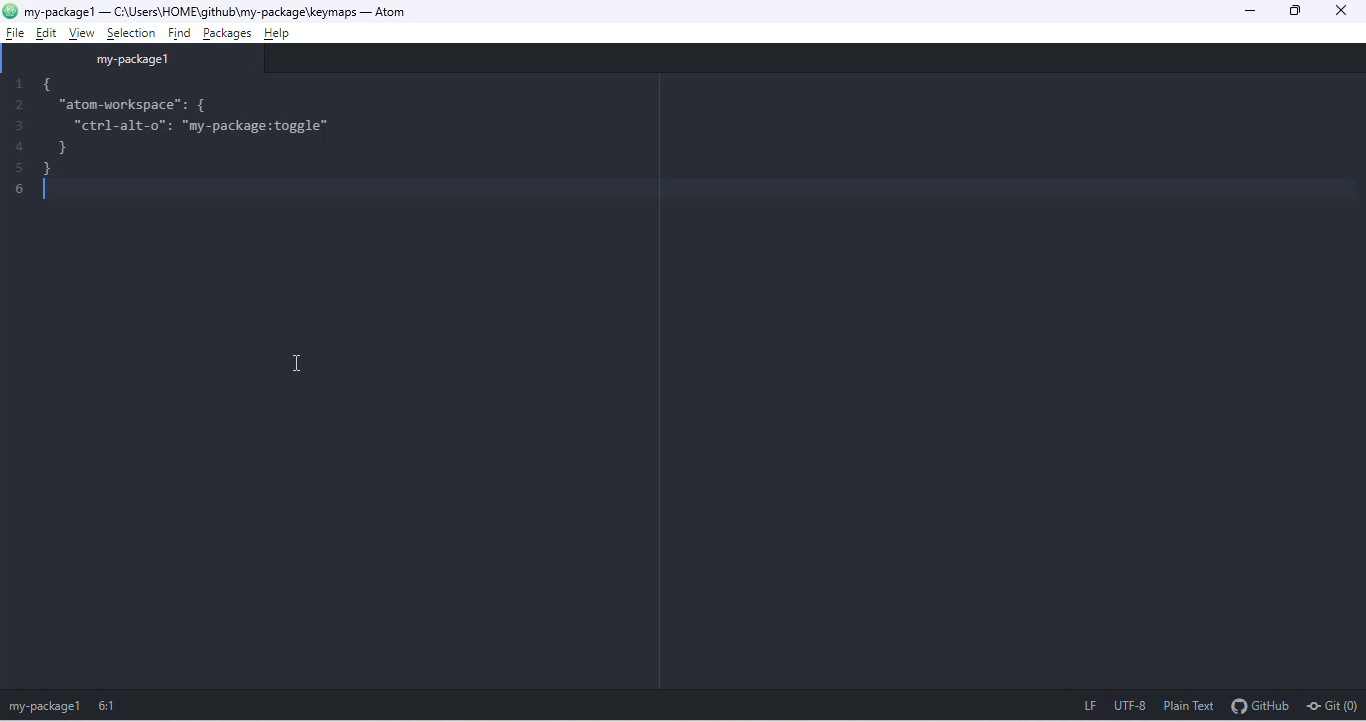  I want to click on my-package1, so click(59, 10).